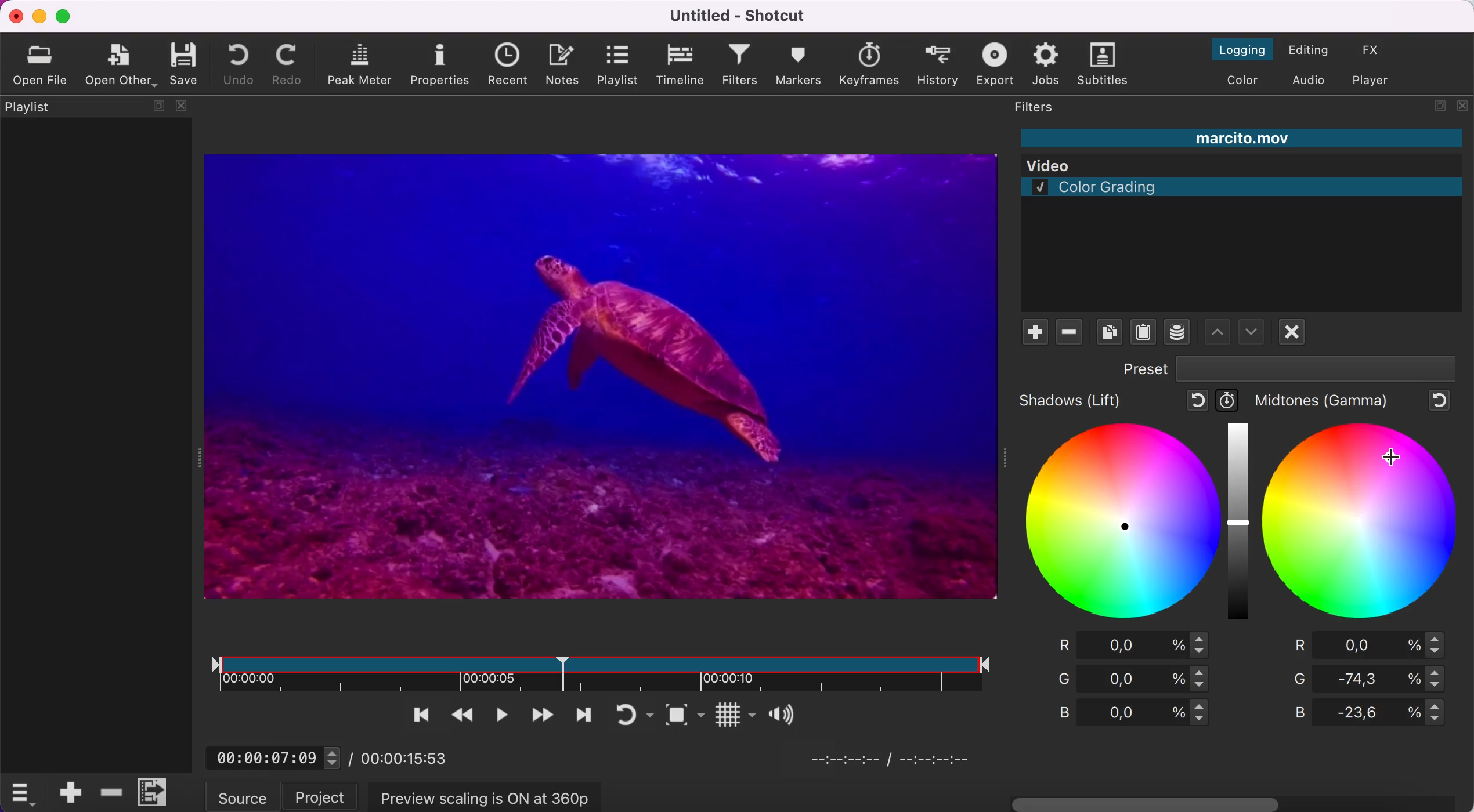 The image size is (1474, 812). Describe the element at coordinates (1367, 679) in the screenshot. I see `green` at that location.